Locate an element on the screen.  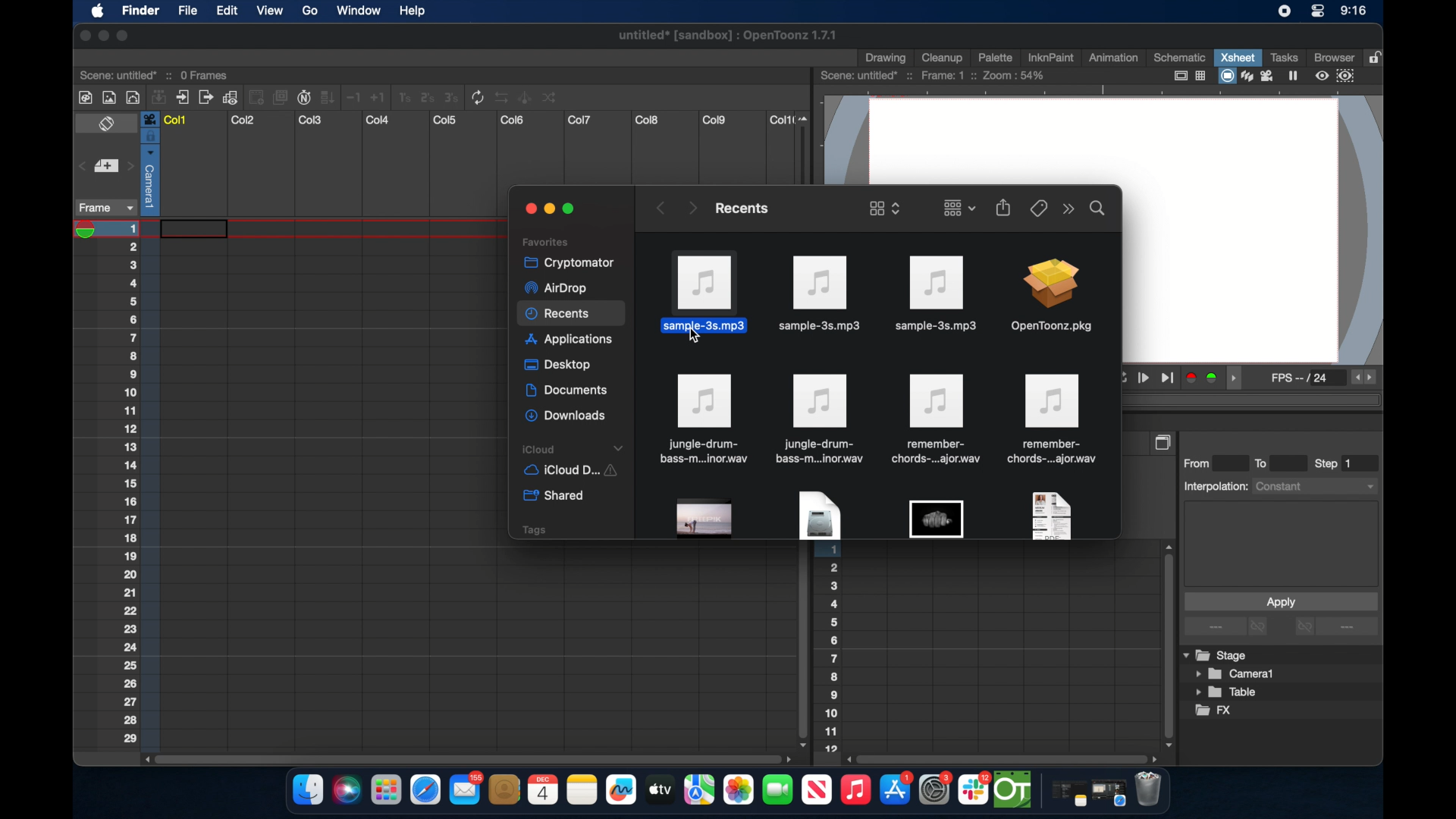
file is located at coordinates (934, 419).